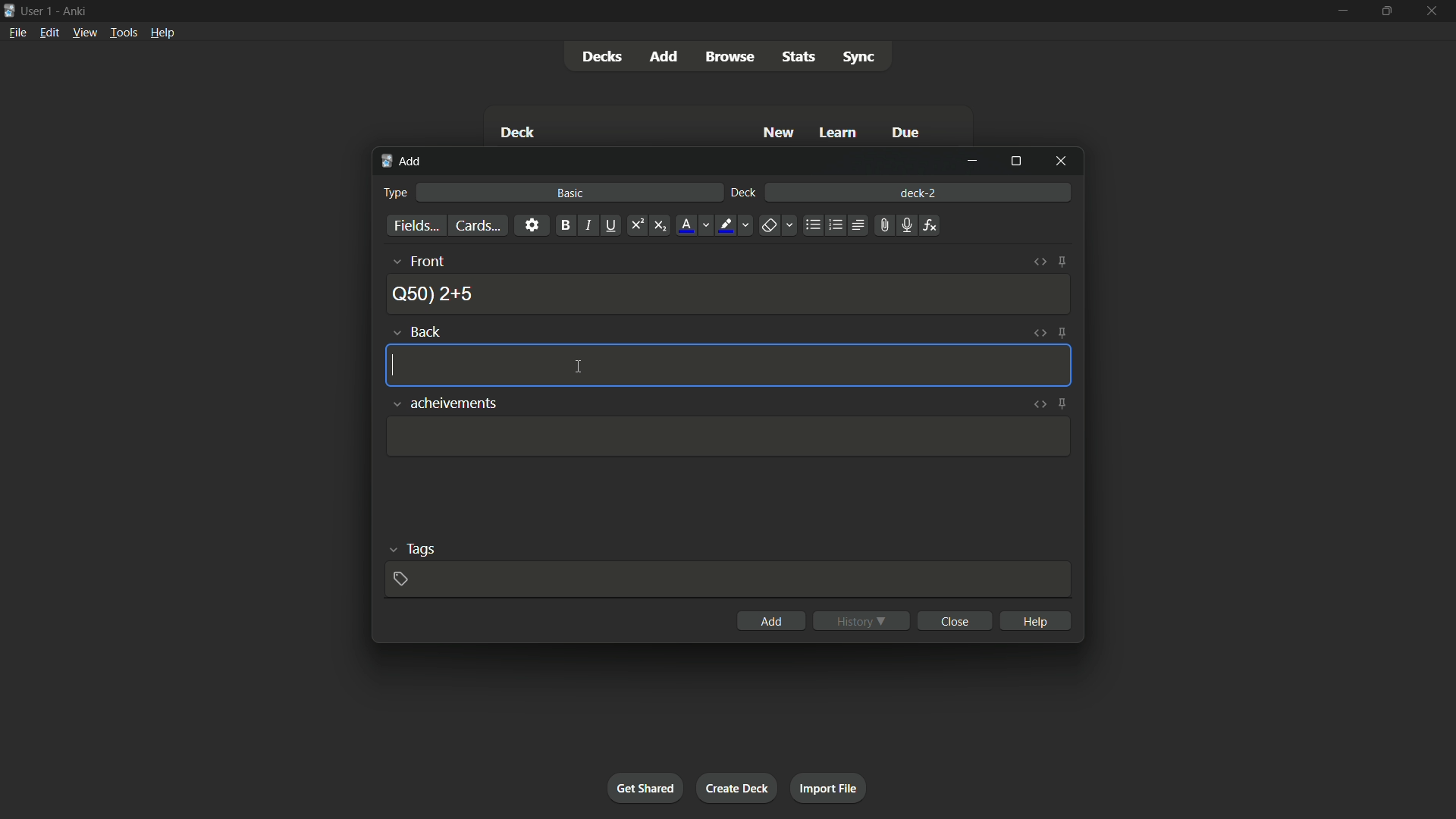 The width and height of the screenshot is (1456, 819). Describe the element at coordinates (1341, 12) in the screenshot. I see `minimize` at that location.